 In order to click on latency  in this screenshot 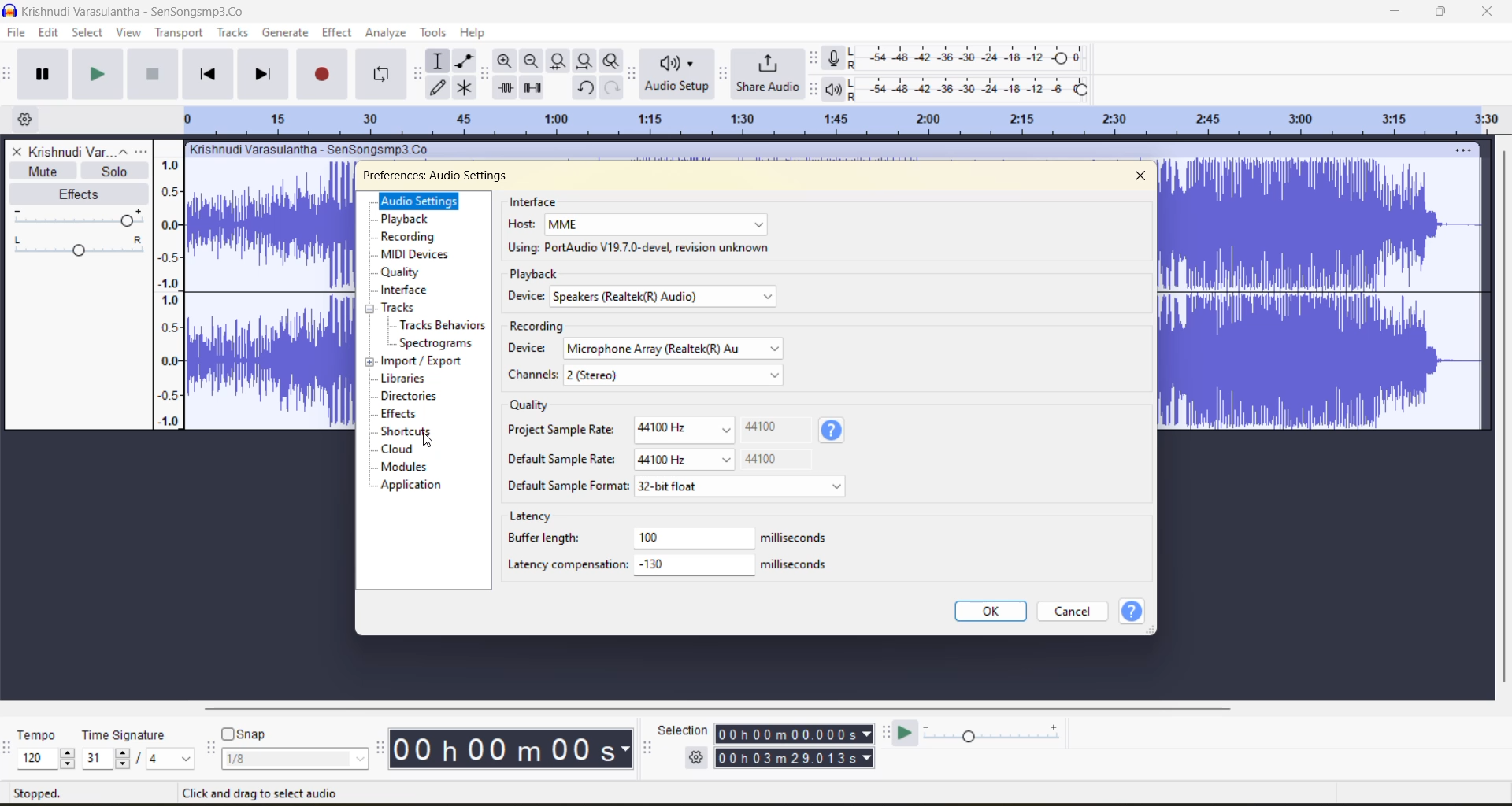, I will do `click(671, 567)`.